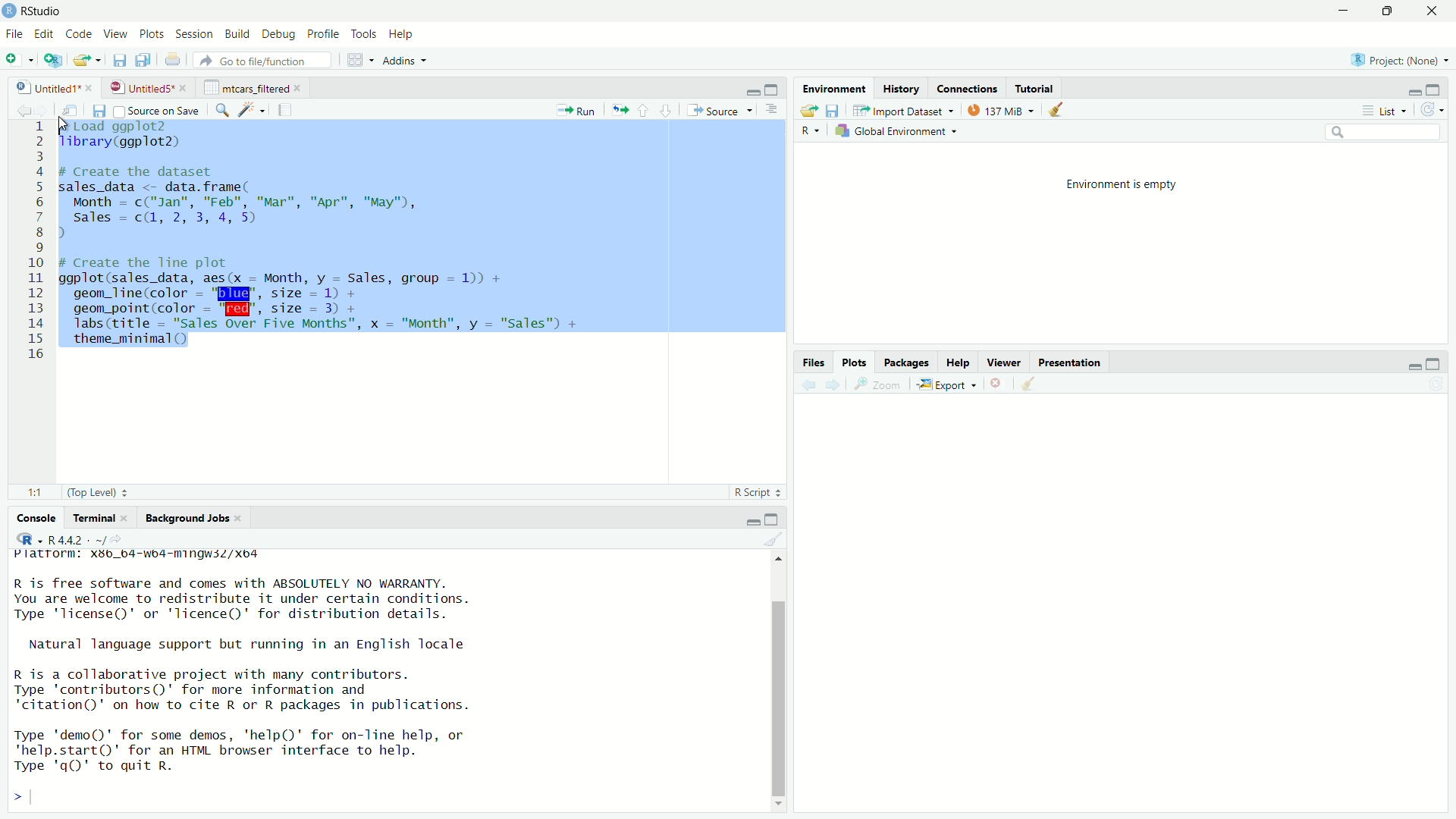 The width and height of the screenshot is (1456, 819). I want to click on line numbers, so click(39, 243).